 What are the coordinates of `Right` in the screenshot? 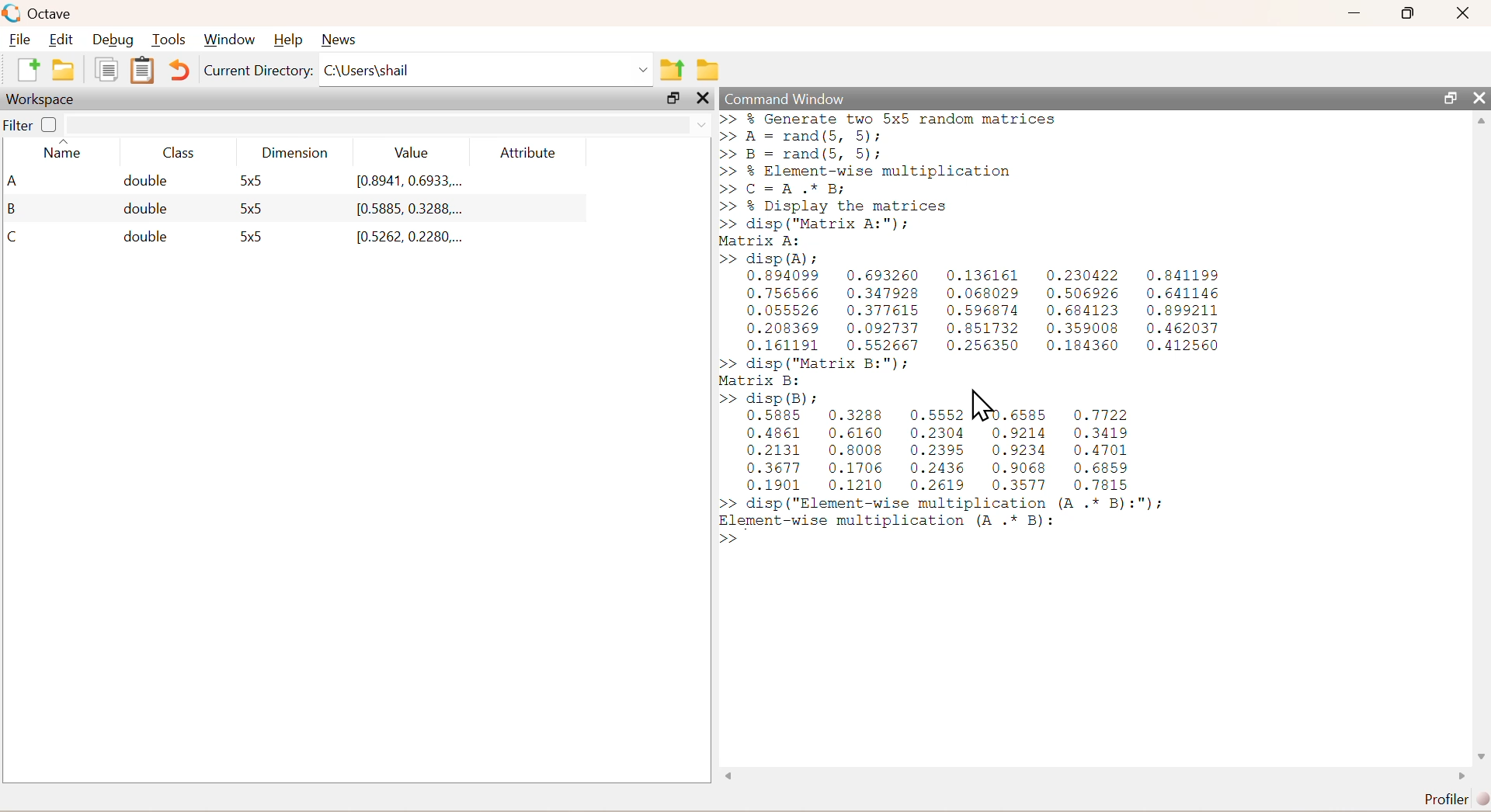 It's located at (1458, 774).